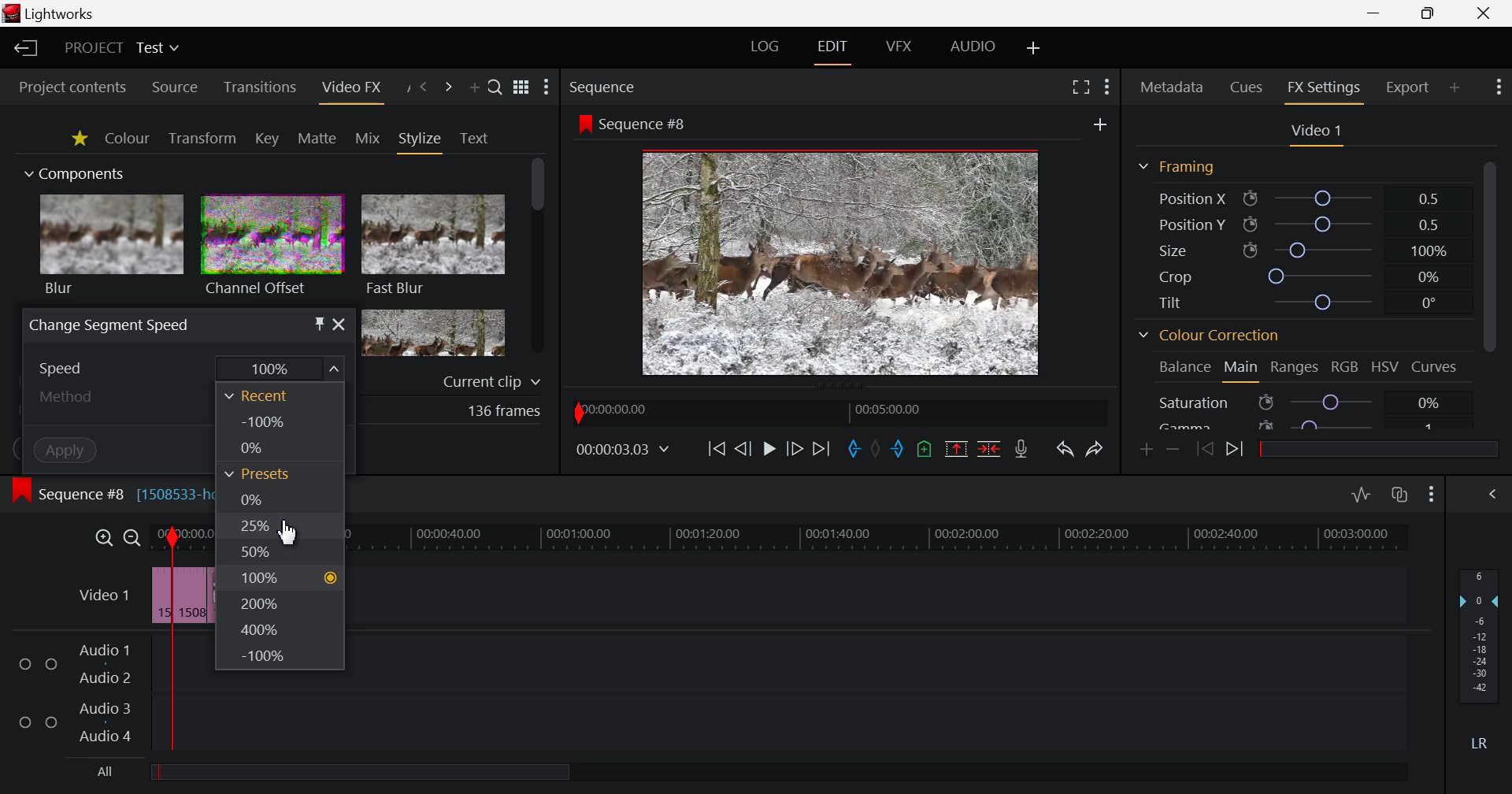 The width and height of the screenshot is (1512, 794). I want to click on 200%, so click(280, 604).